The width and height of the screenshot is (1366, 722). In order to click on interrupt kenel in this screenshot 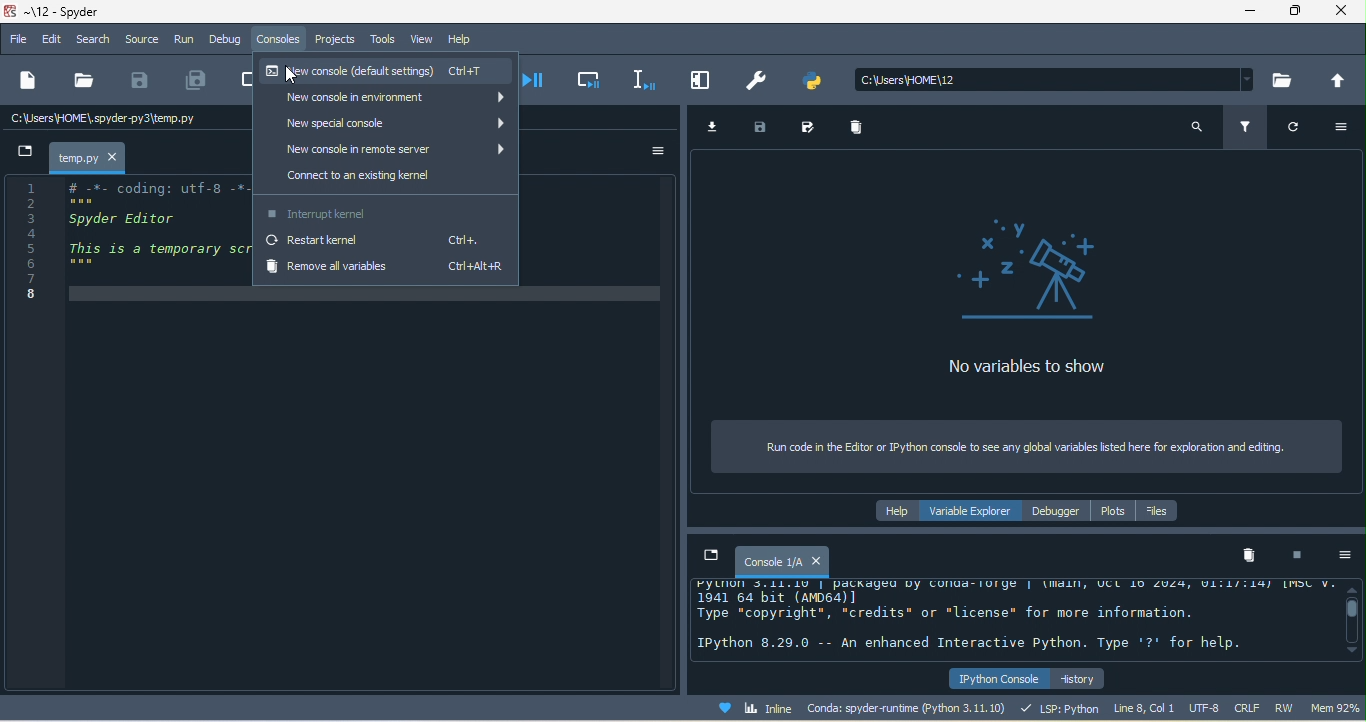, I will do `click(1301, 557)`.